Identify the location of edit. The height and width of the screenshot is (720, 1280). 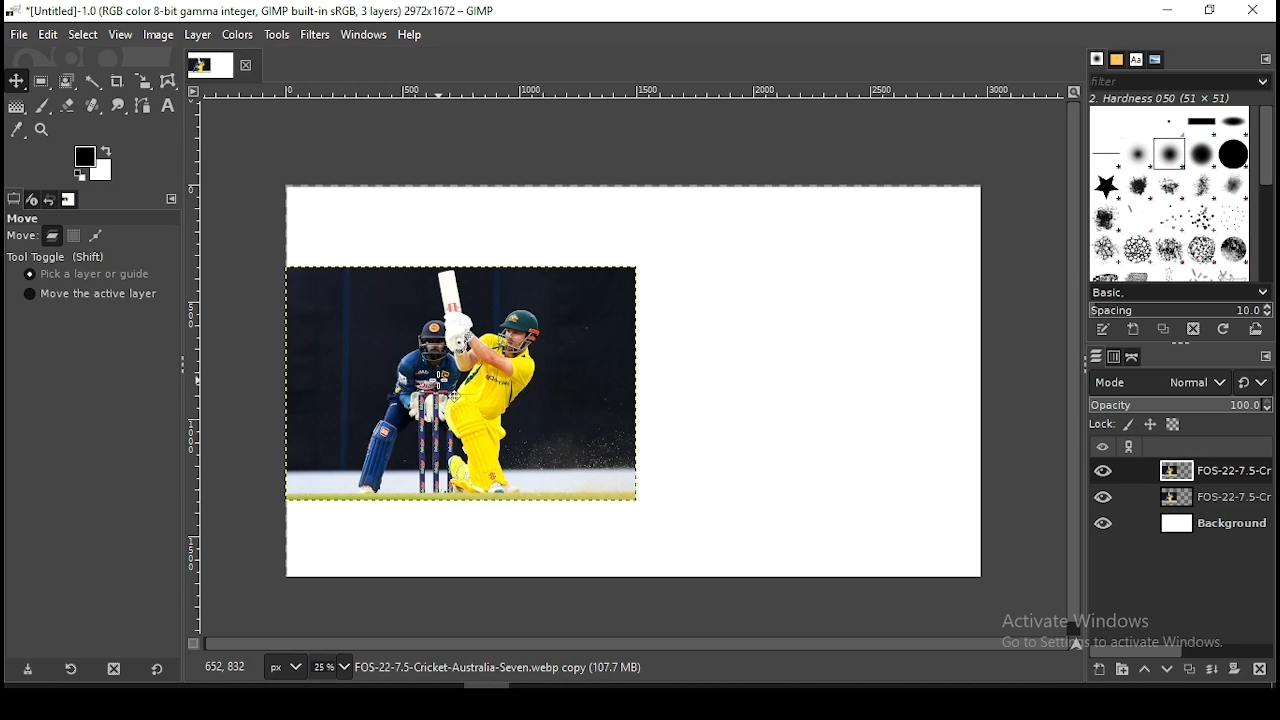
(50, 34).